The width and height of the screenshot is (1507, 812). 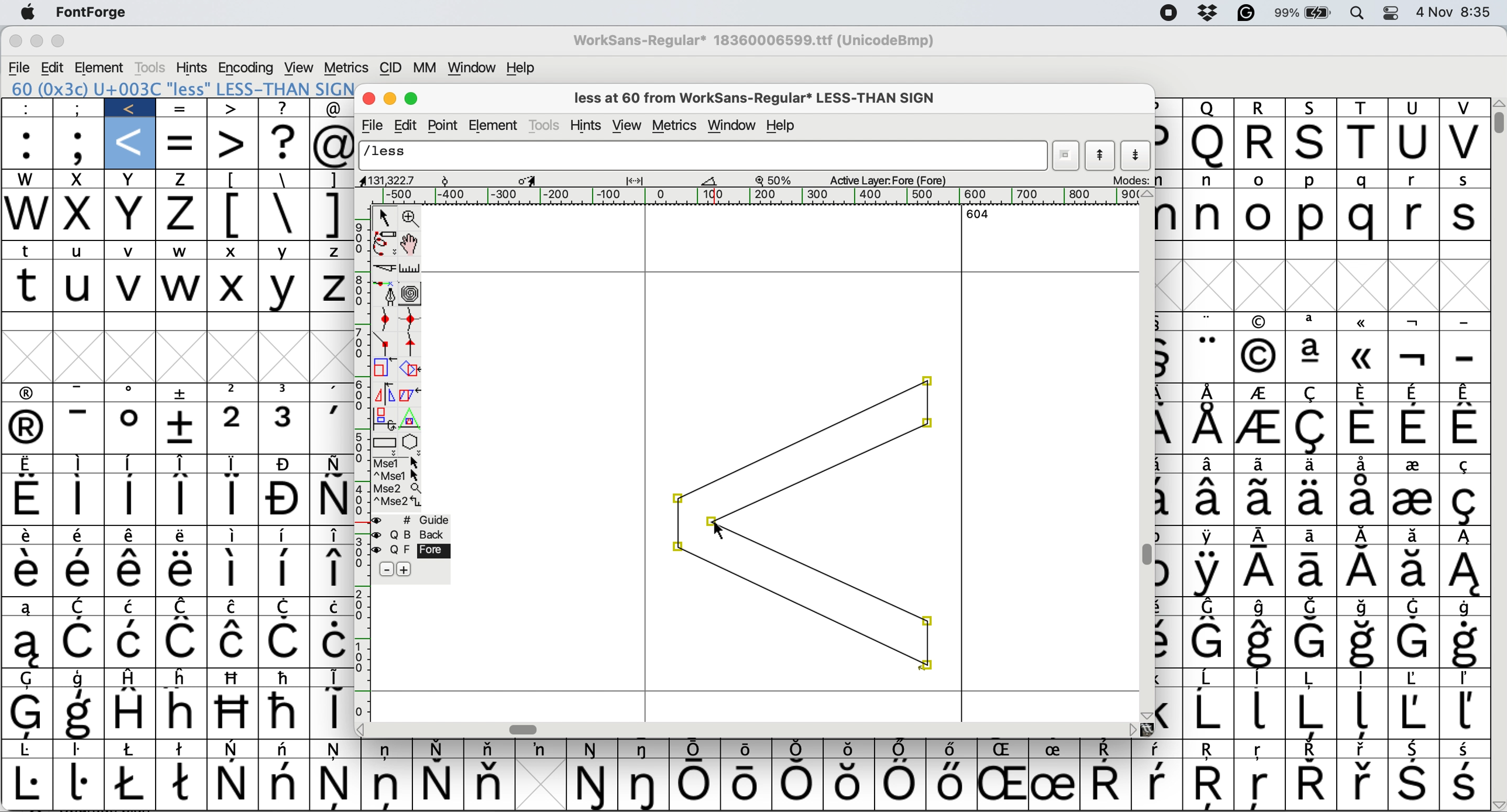 What do you see at coordinates (332, 677) in the screenshot?
I see `symbol` at bounding box center [332, 677].